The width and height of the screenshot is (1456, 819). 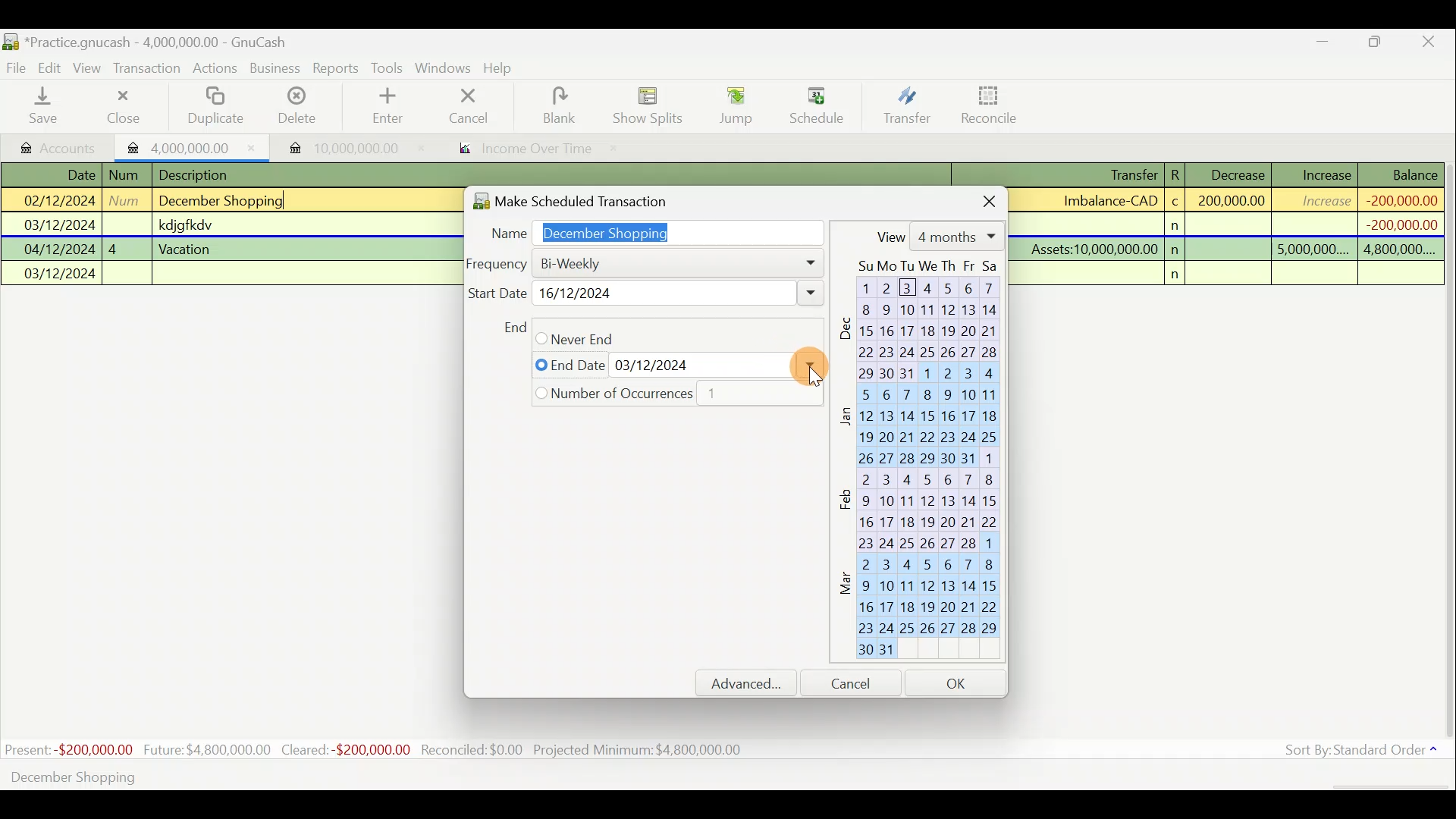 What do you see at coordinates (513, 327) in the screenshot?
I see `End` at bounding box center [513, 327].